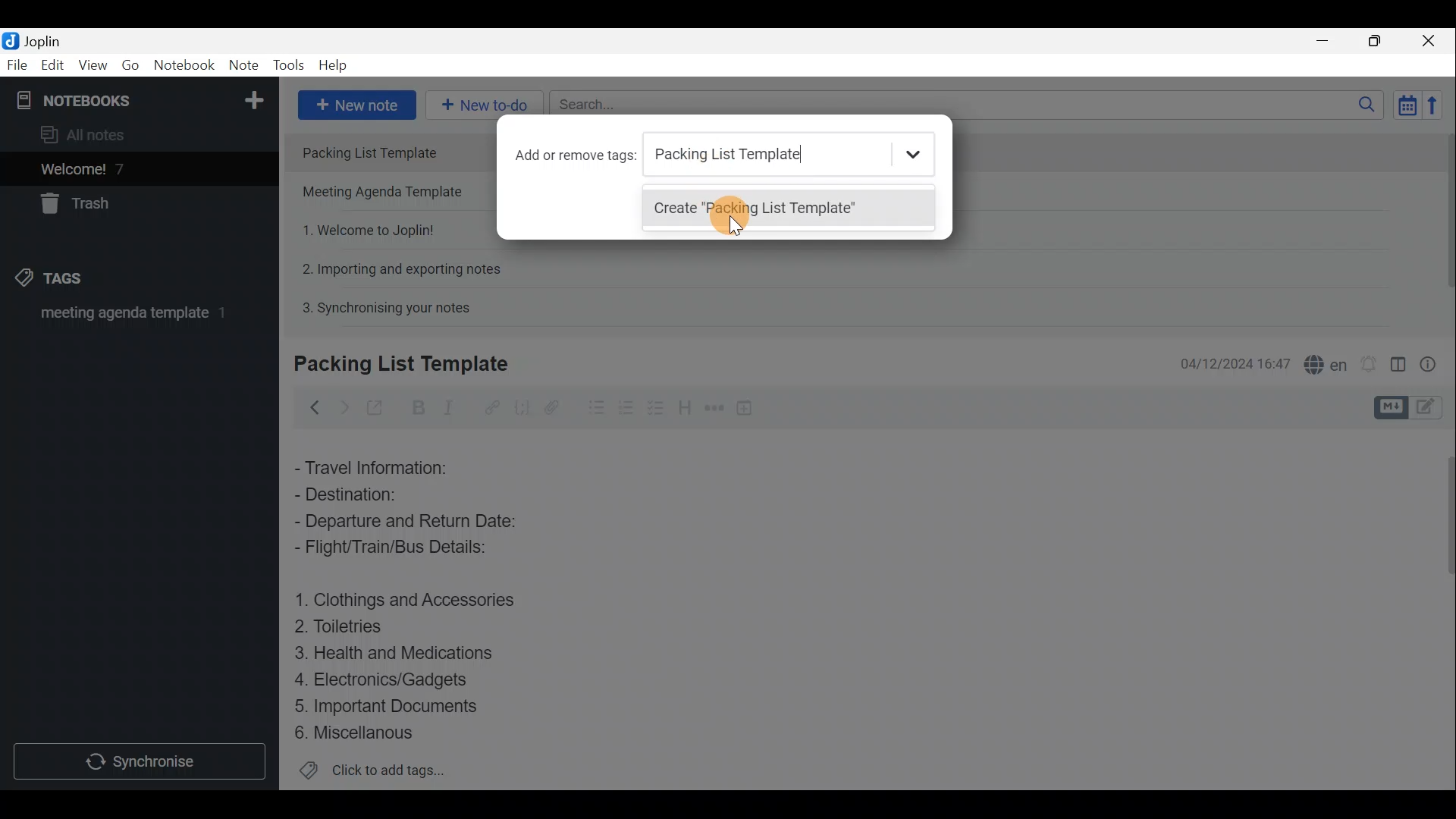  What do you see at coordinates (454, 407) in the screenshot?
I see `Italic` at bounding box center [454, 407].